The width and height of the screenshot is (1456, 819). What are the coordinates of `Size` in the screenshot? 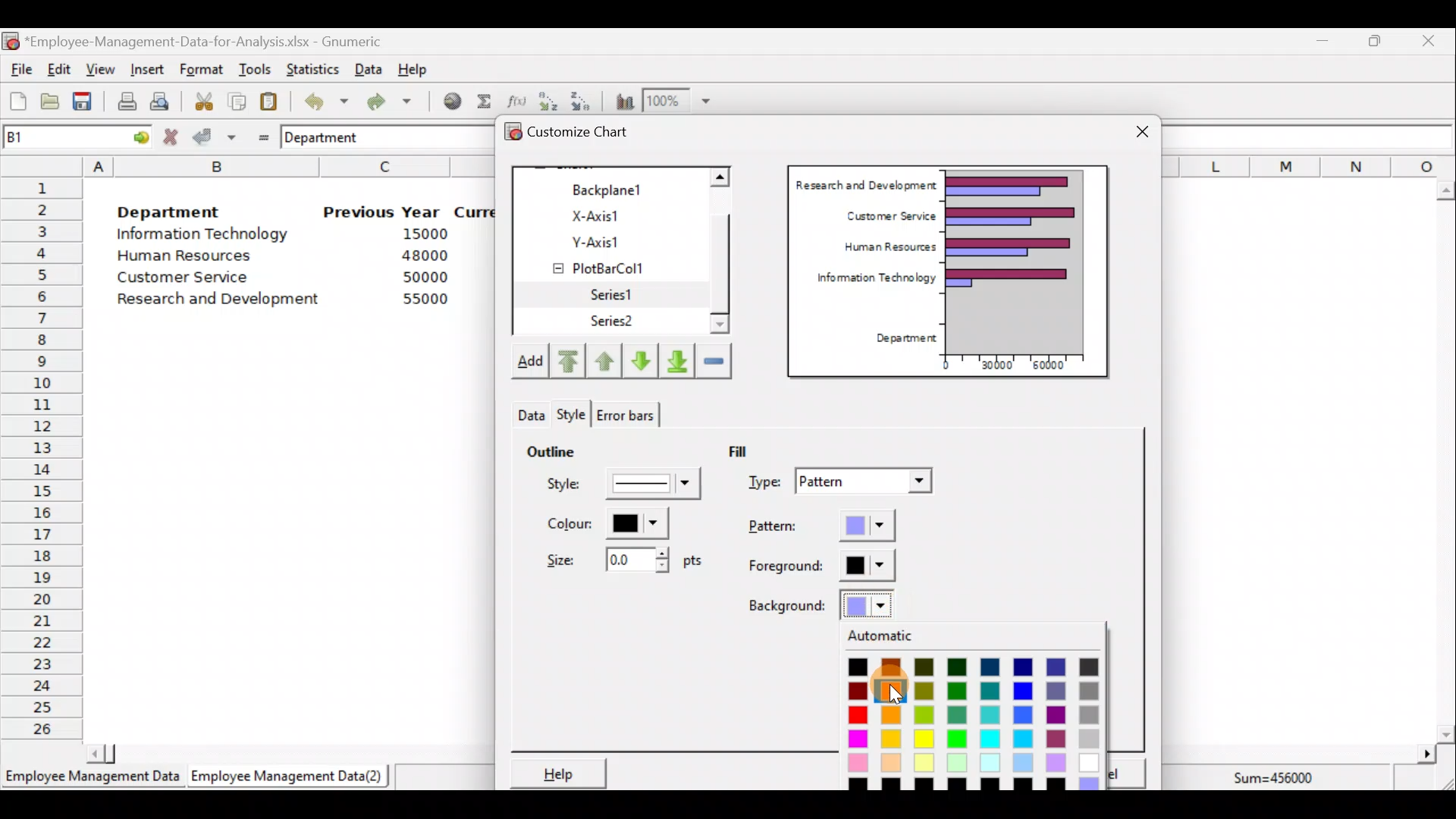 It's located at (620, 558).